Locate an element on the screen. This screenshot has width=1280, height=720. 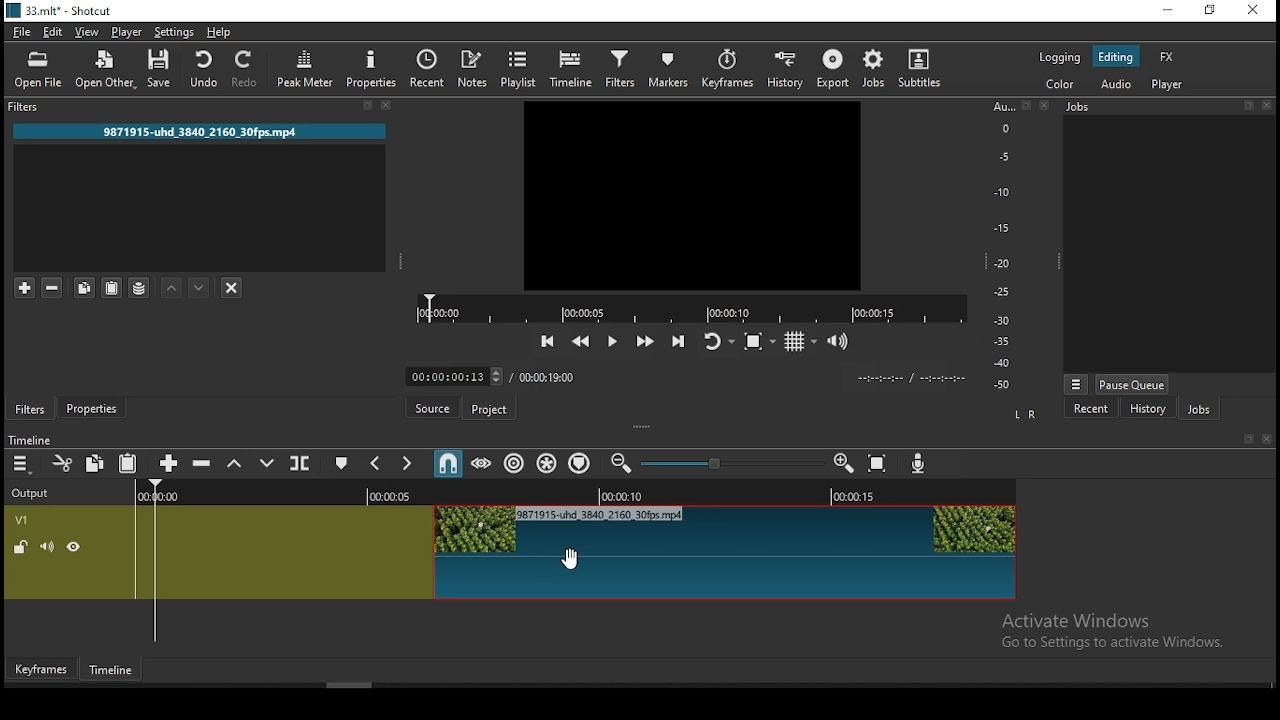
append is located at coordinates (171, 463).